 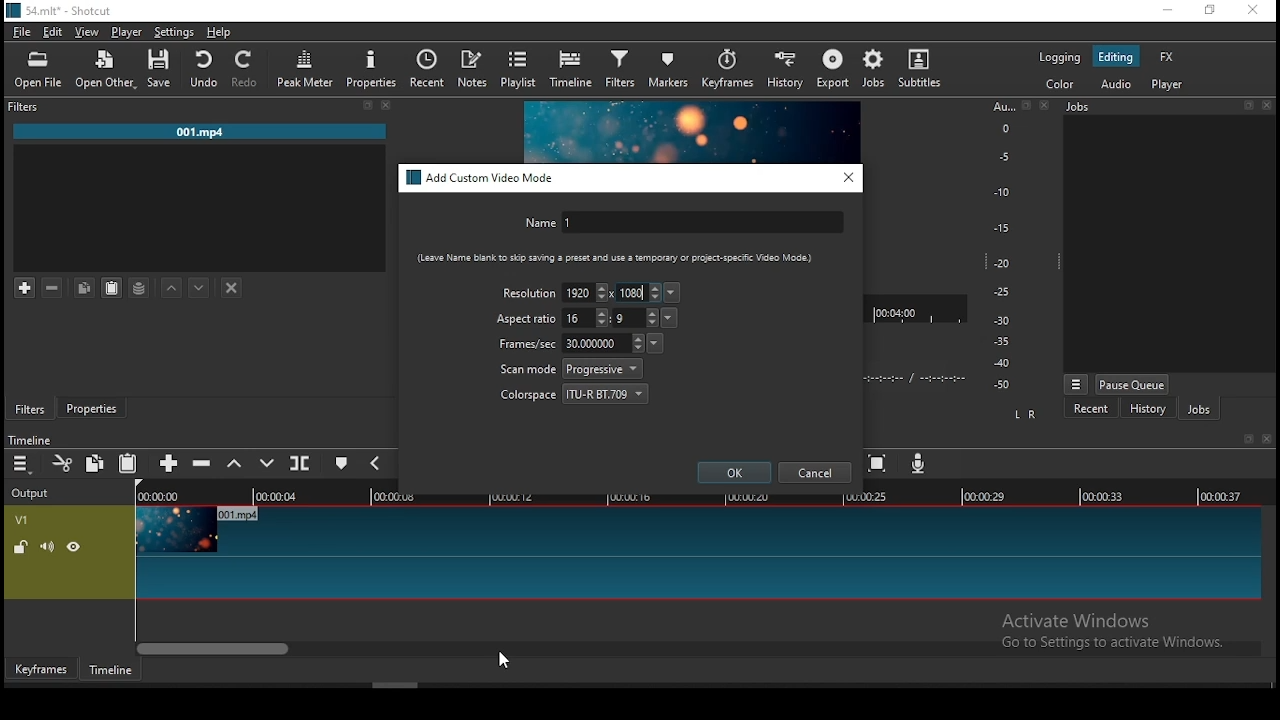 What do you see at coordinates (1169, 58) in the screenshot?
I see `fx` at bounding box center [1169, 58].